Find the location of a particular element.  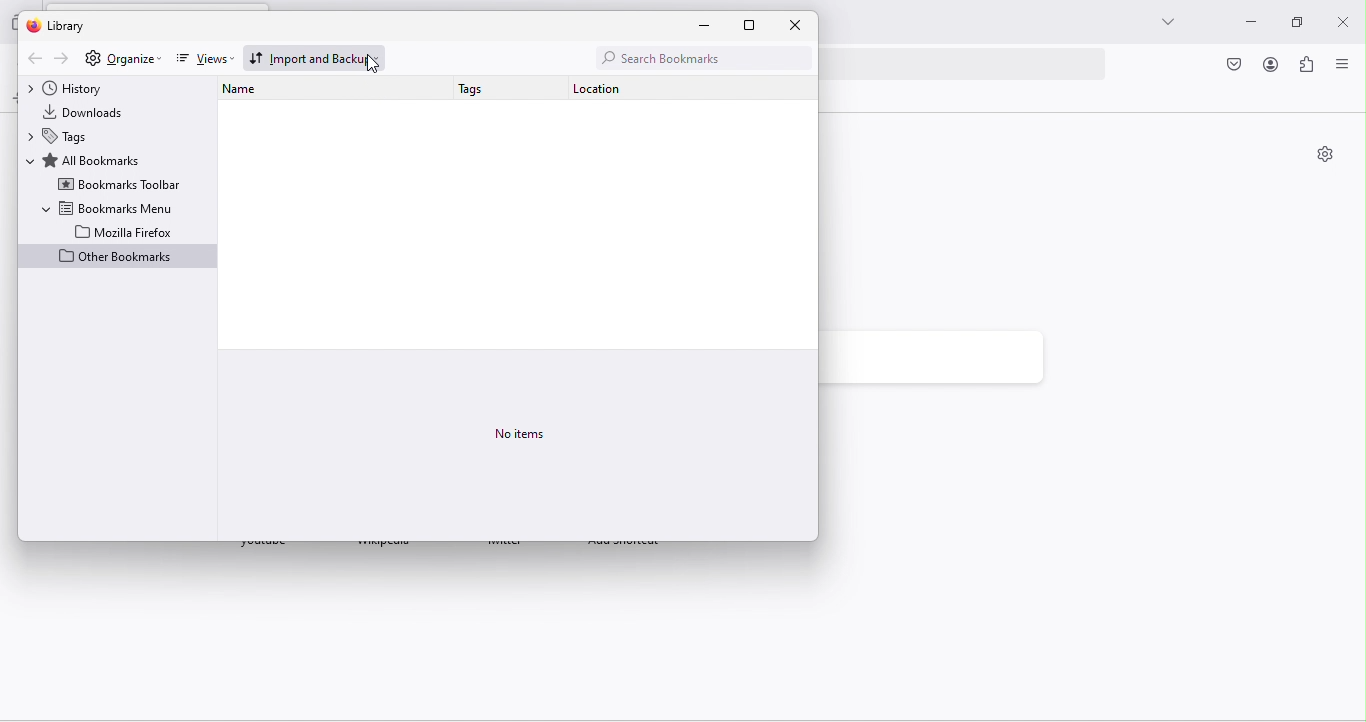

downloads is located at coordinates (94, 111).